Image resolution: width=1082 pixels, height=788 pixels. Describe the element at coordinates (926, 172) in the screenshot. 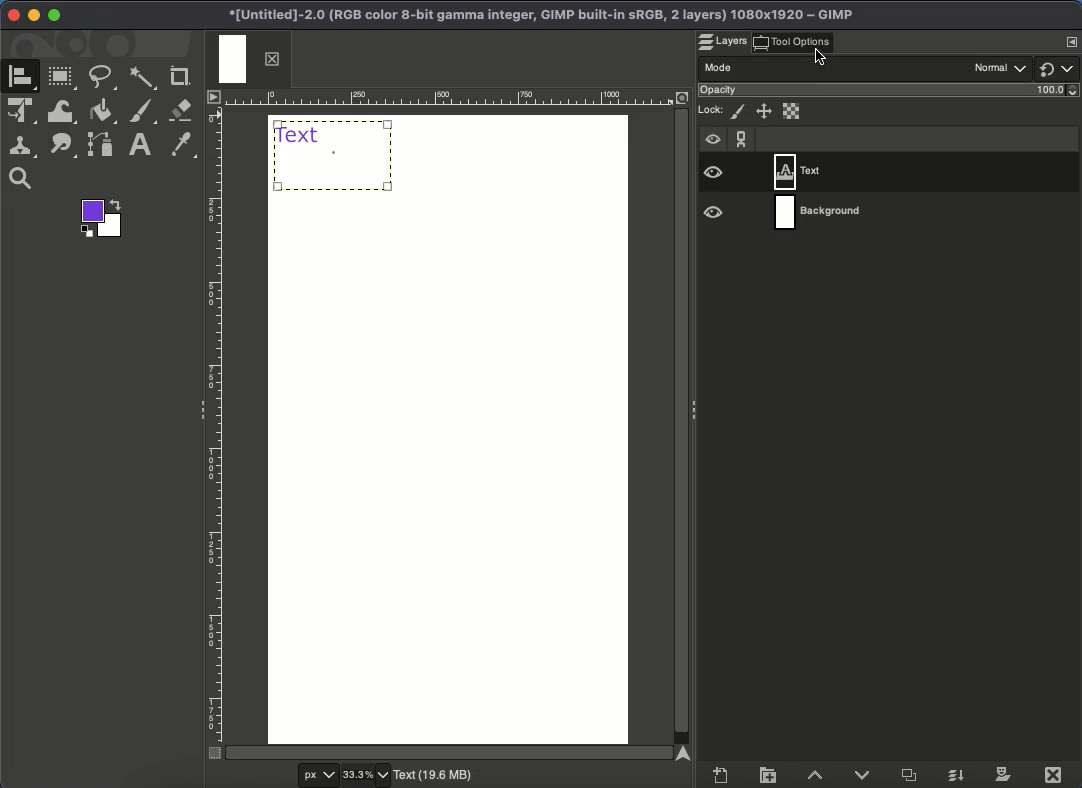

I see `Layer 1` at that location.